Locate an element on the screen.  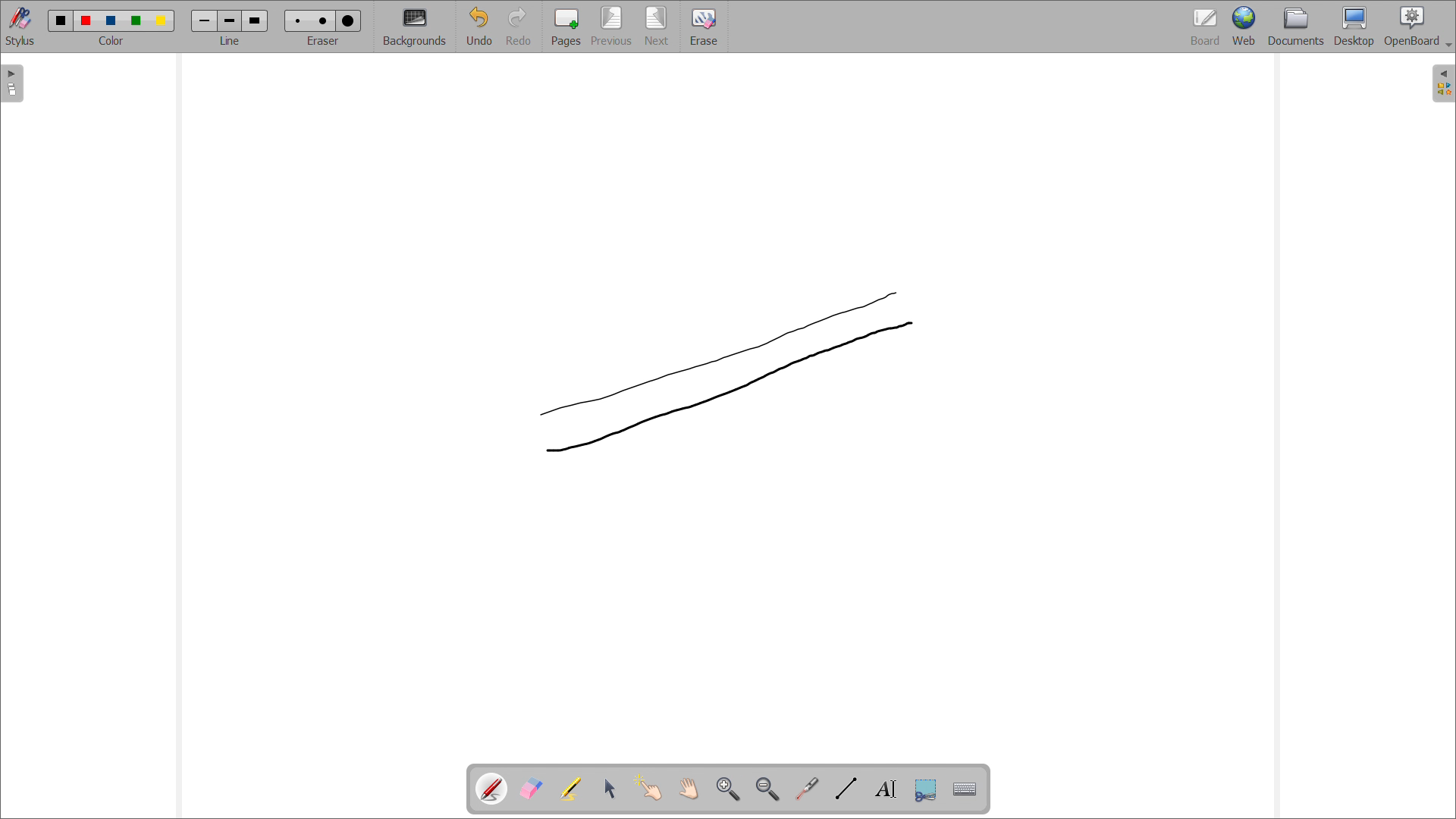
backgrounds is located at coordinates (415, 26).